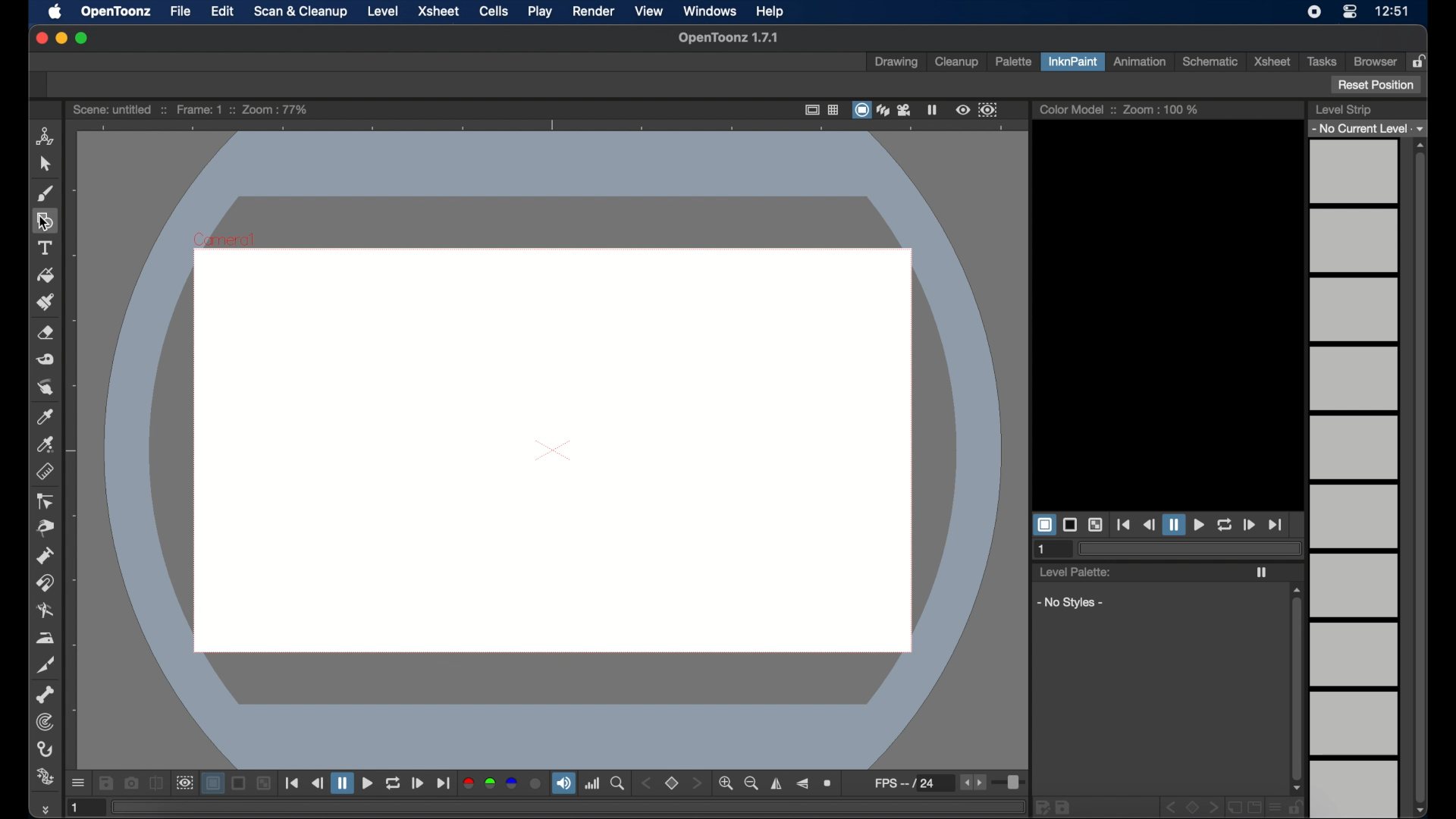  I want to click on repeat, so click(392, 784).